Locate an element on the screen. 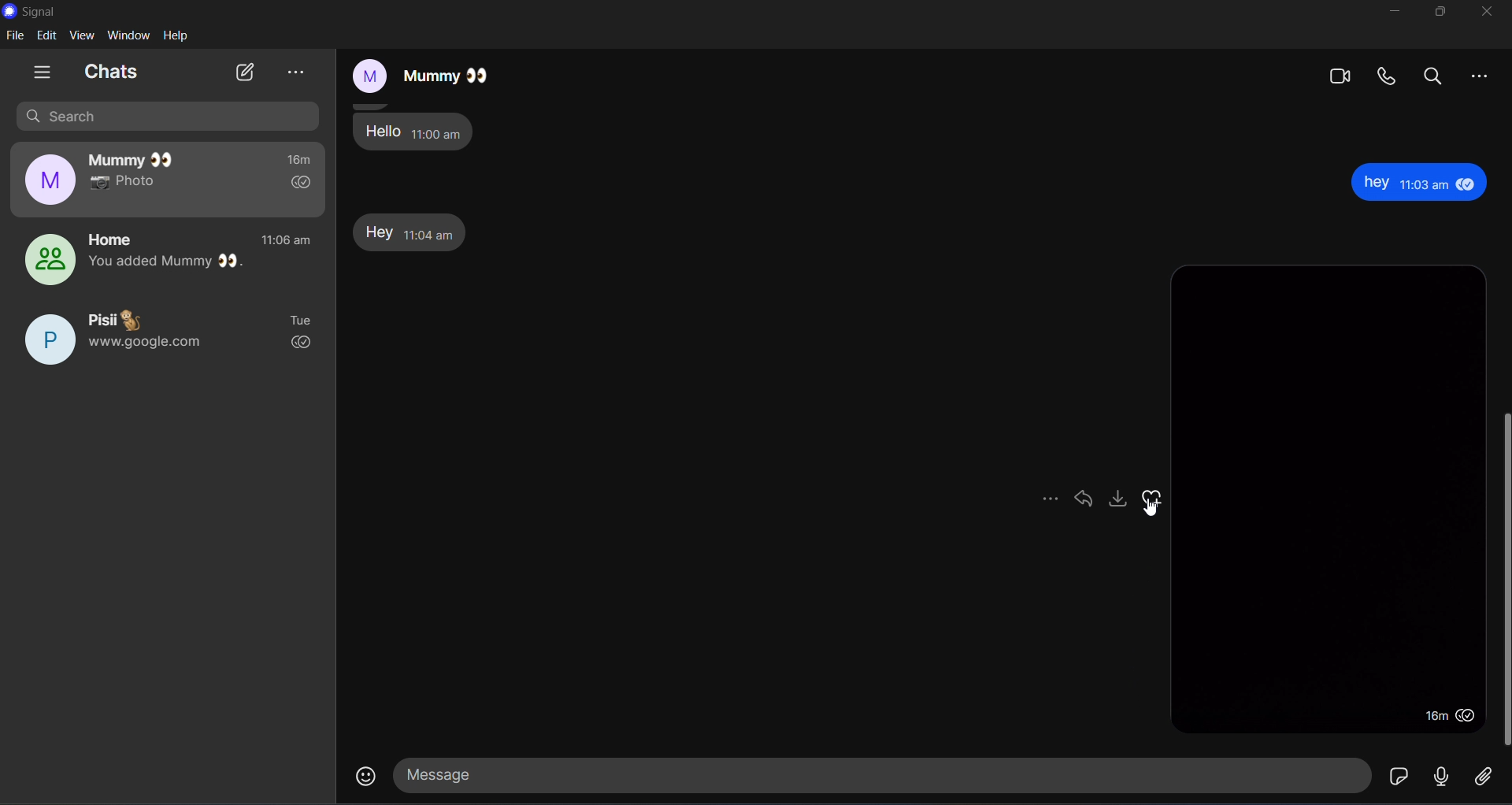  vertical scroll bar is located at coordinates (1503, 581).